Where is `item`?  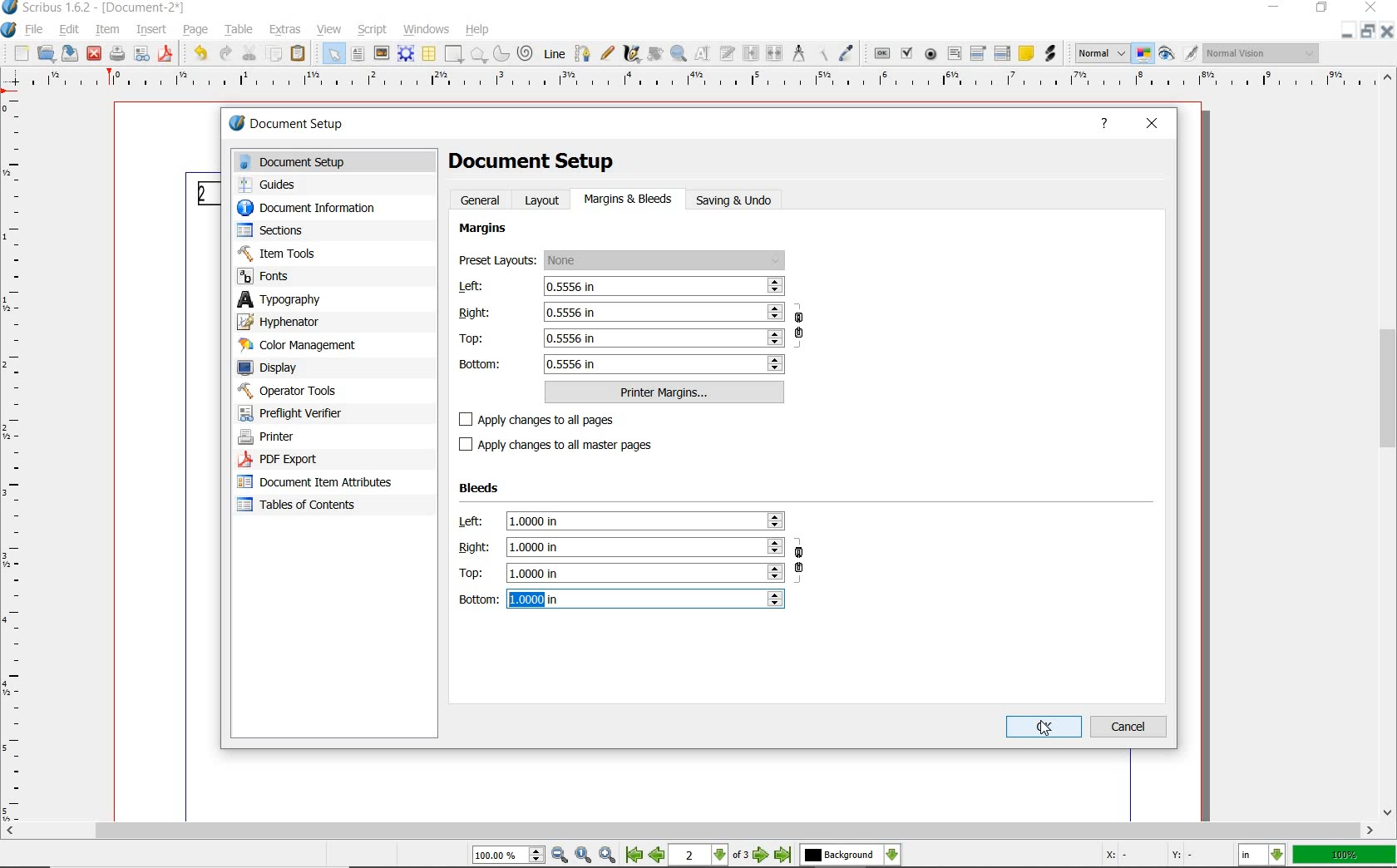
item is located at coordinates (107, 30).